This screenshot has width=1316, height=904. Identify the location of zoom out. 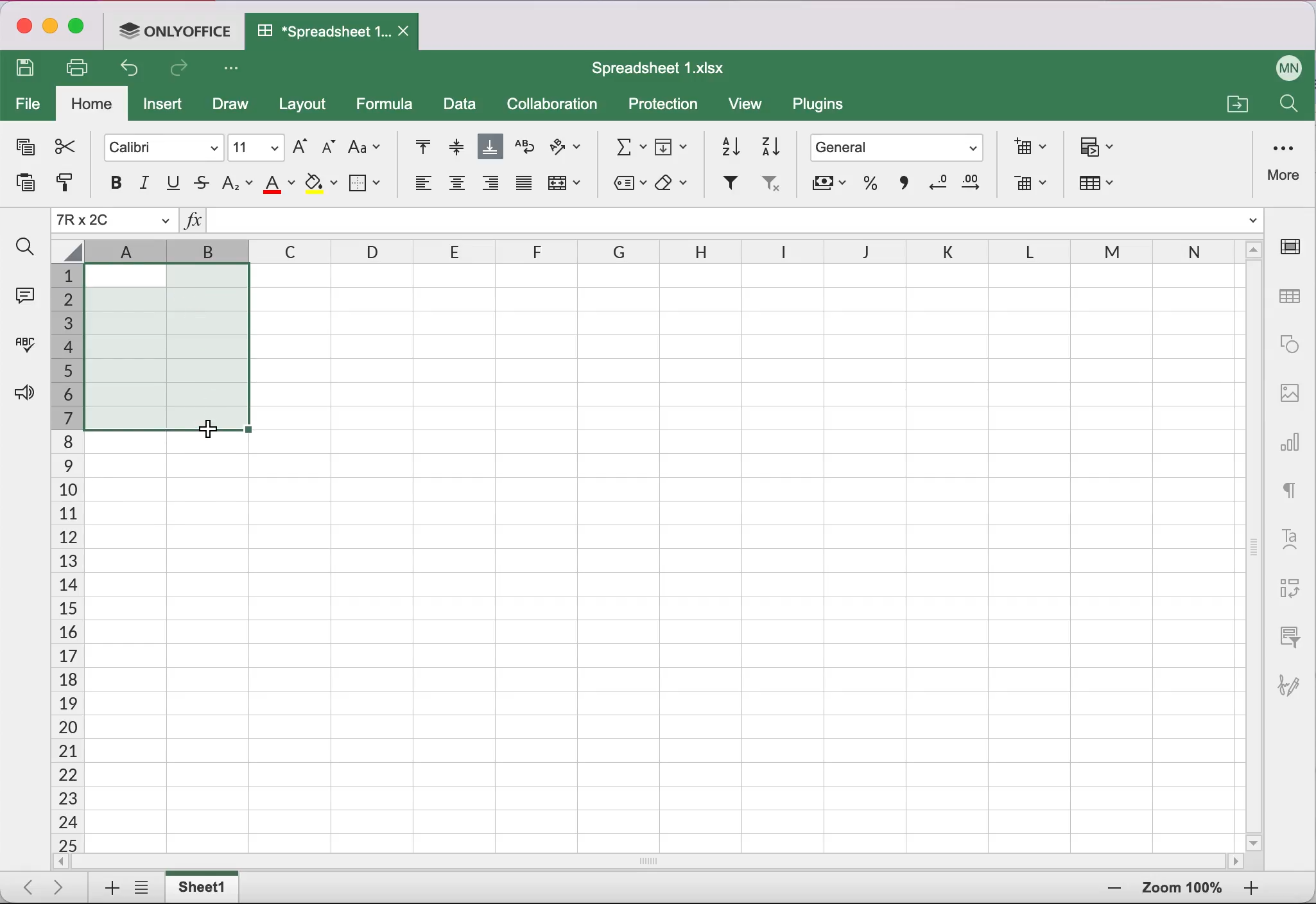
(1251, 889).